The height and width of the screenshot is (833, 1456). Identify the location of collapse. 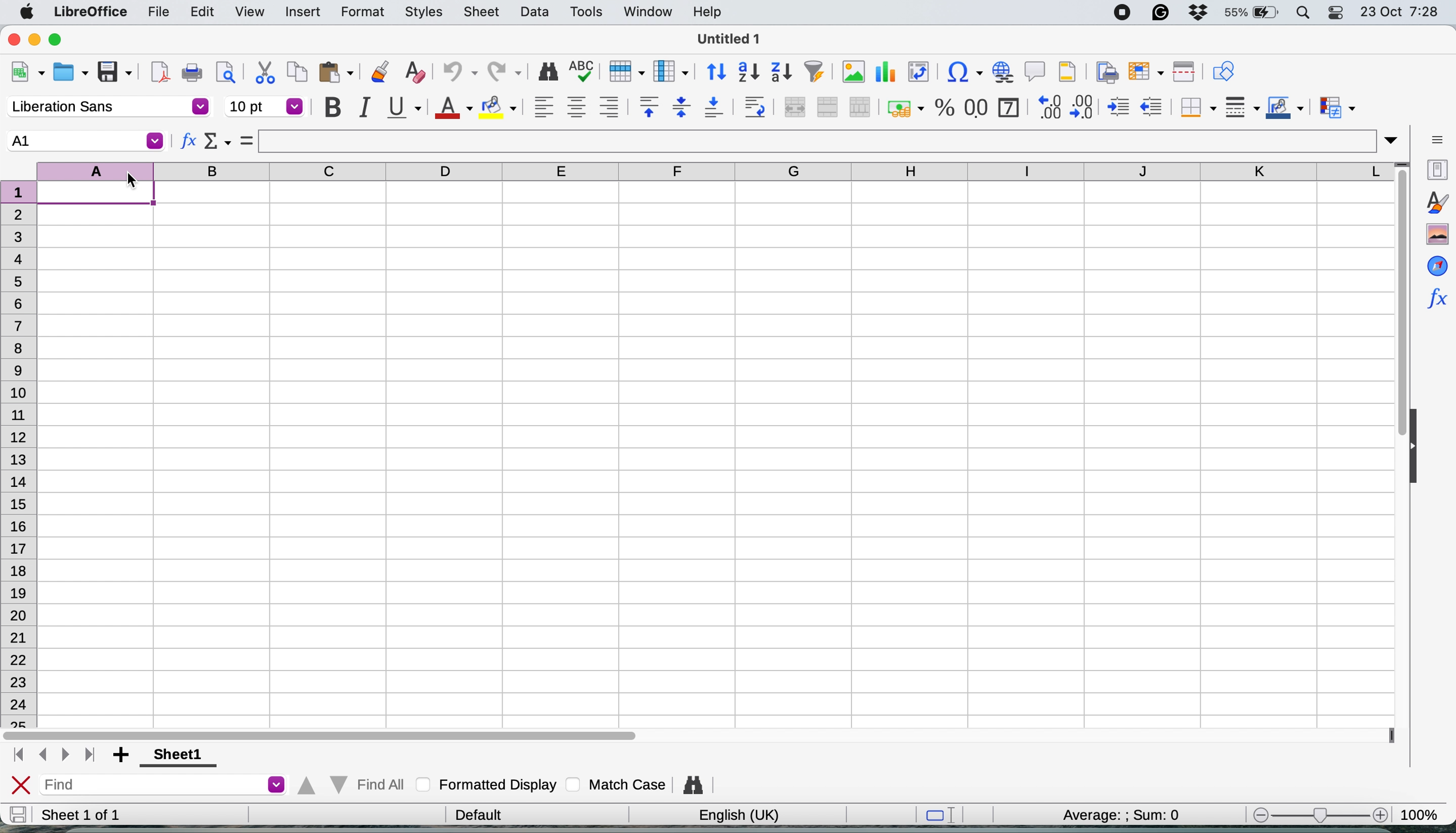
(1417, 443).